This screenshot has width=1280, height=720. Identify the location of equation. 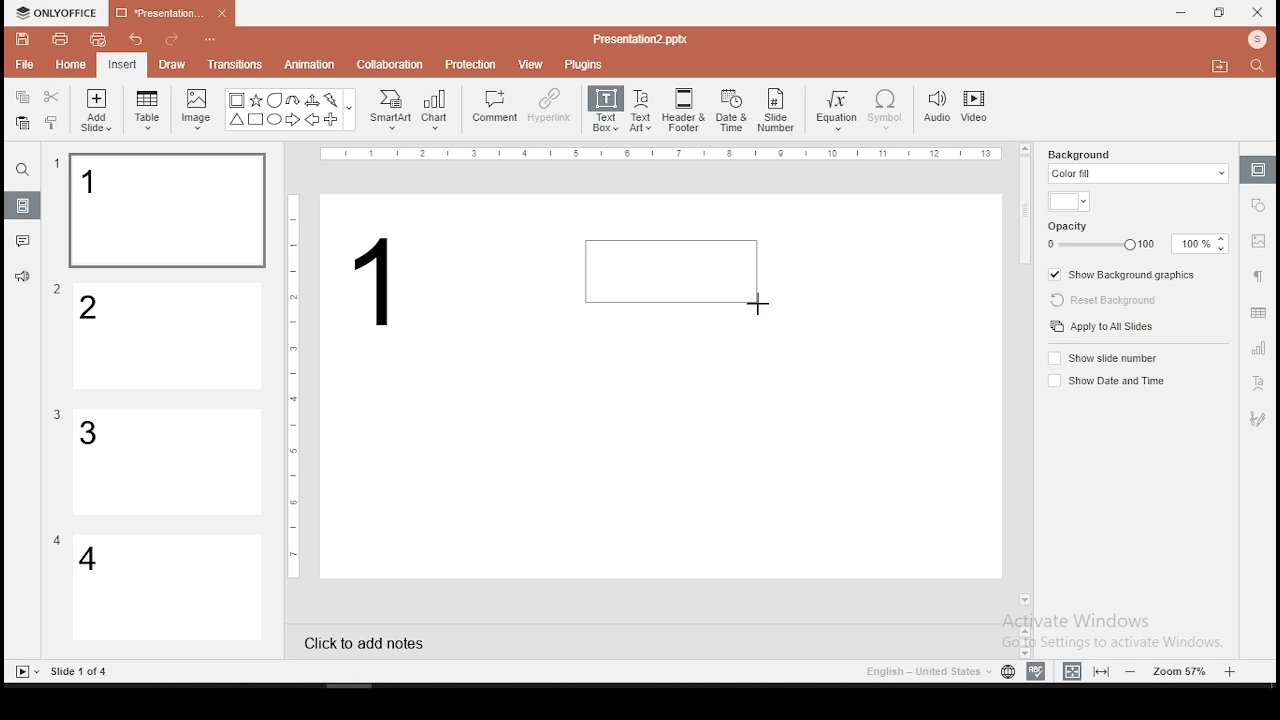
(835, 111).